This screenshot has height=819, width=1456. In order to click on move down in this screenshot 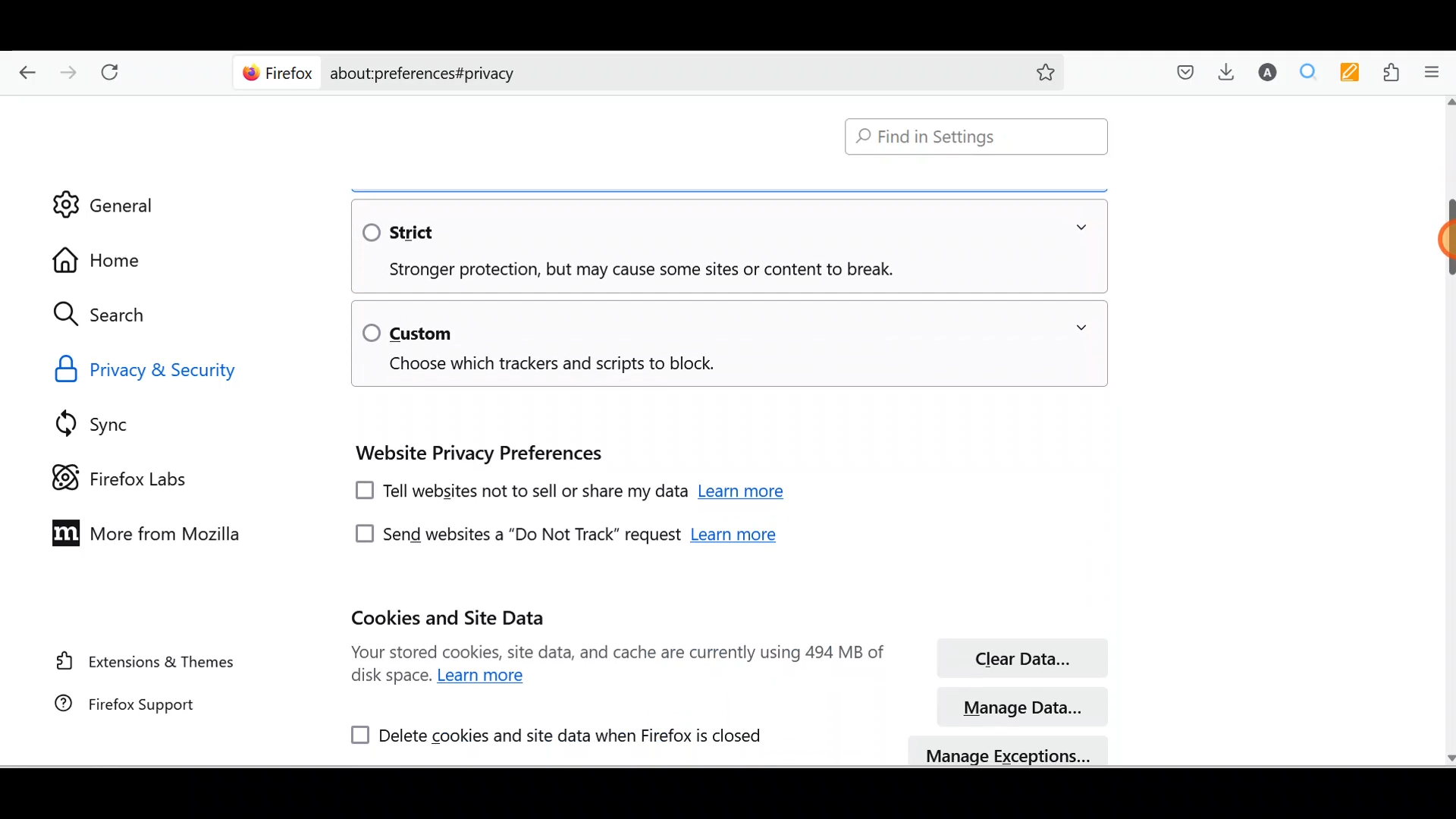, I will do `click(1447, 756)`.